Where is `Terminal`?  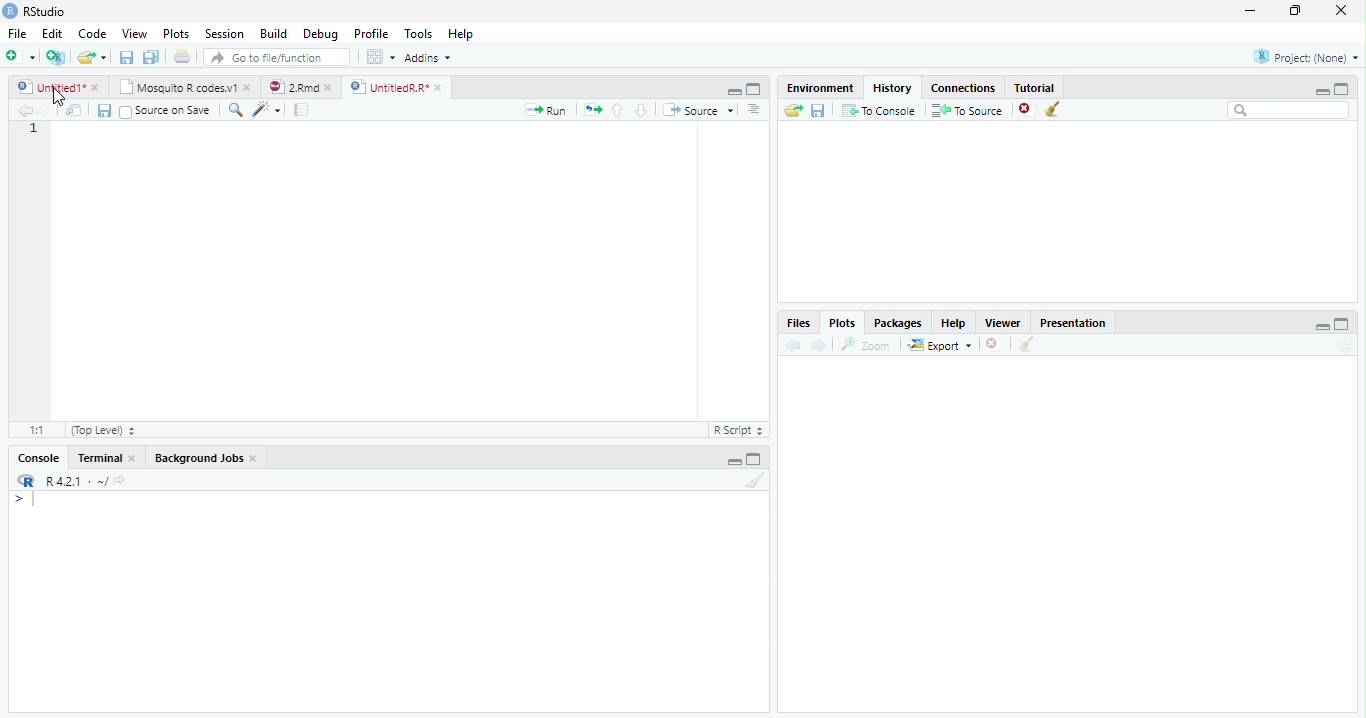
Terminal is located at coordinates (108, 458).